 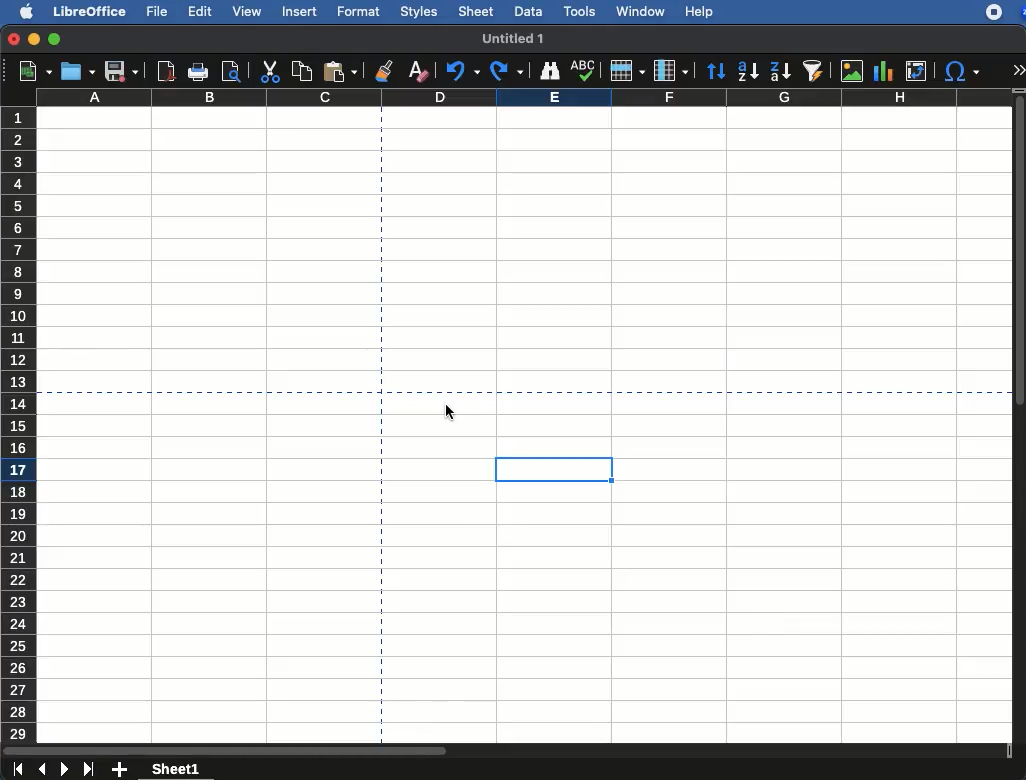 I want to click on view, so click(x=244, y=14).